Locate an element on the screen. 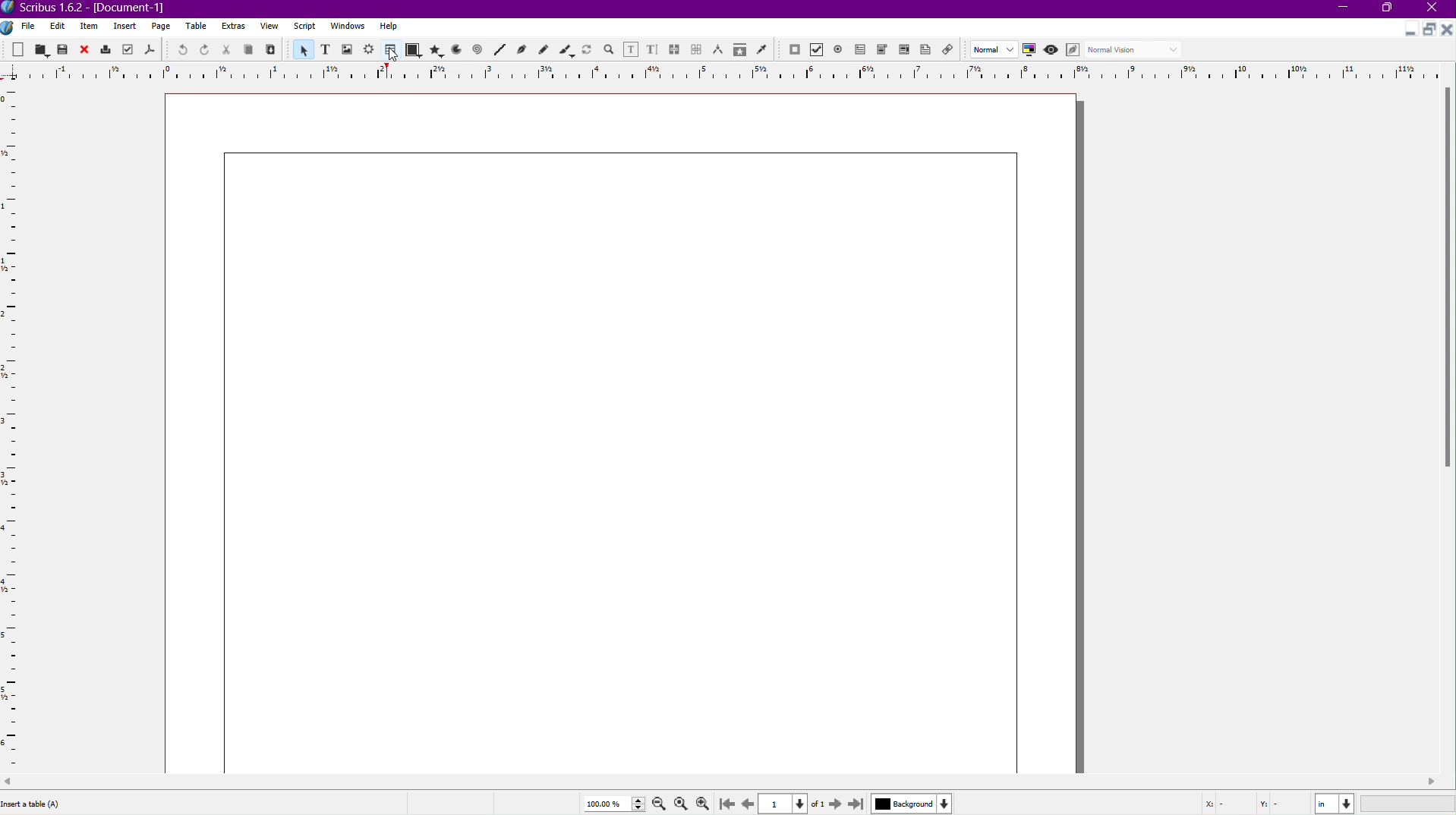  Text Frame is located at coordinates (324, 49).